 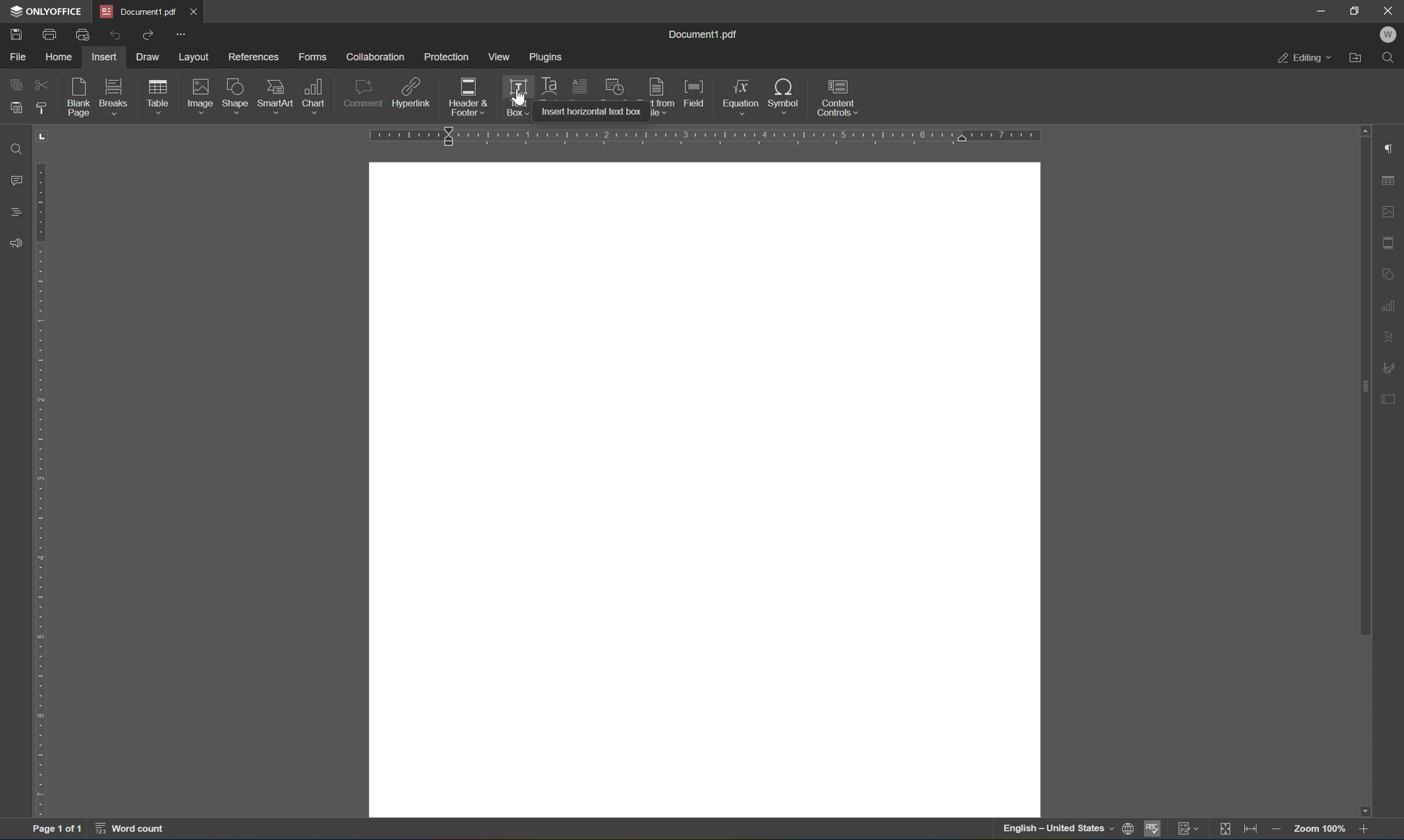 What do you see at coordinates (1392, 147) in the screenshot?
I see `Paragraph settings` at bounding box center [1392, 147].